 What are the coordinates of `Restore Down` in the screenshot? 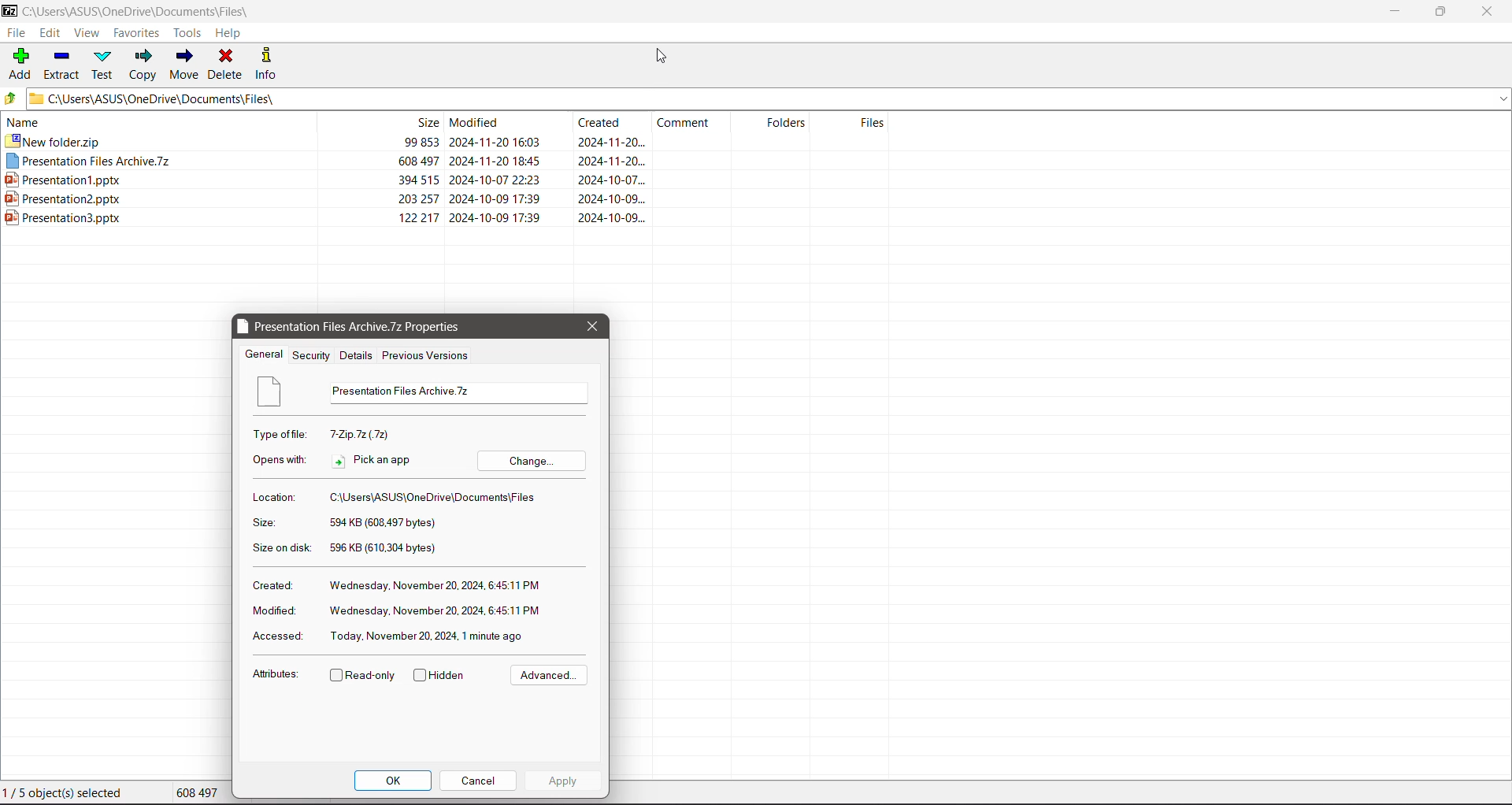 It's located at (1443, 11).